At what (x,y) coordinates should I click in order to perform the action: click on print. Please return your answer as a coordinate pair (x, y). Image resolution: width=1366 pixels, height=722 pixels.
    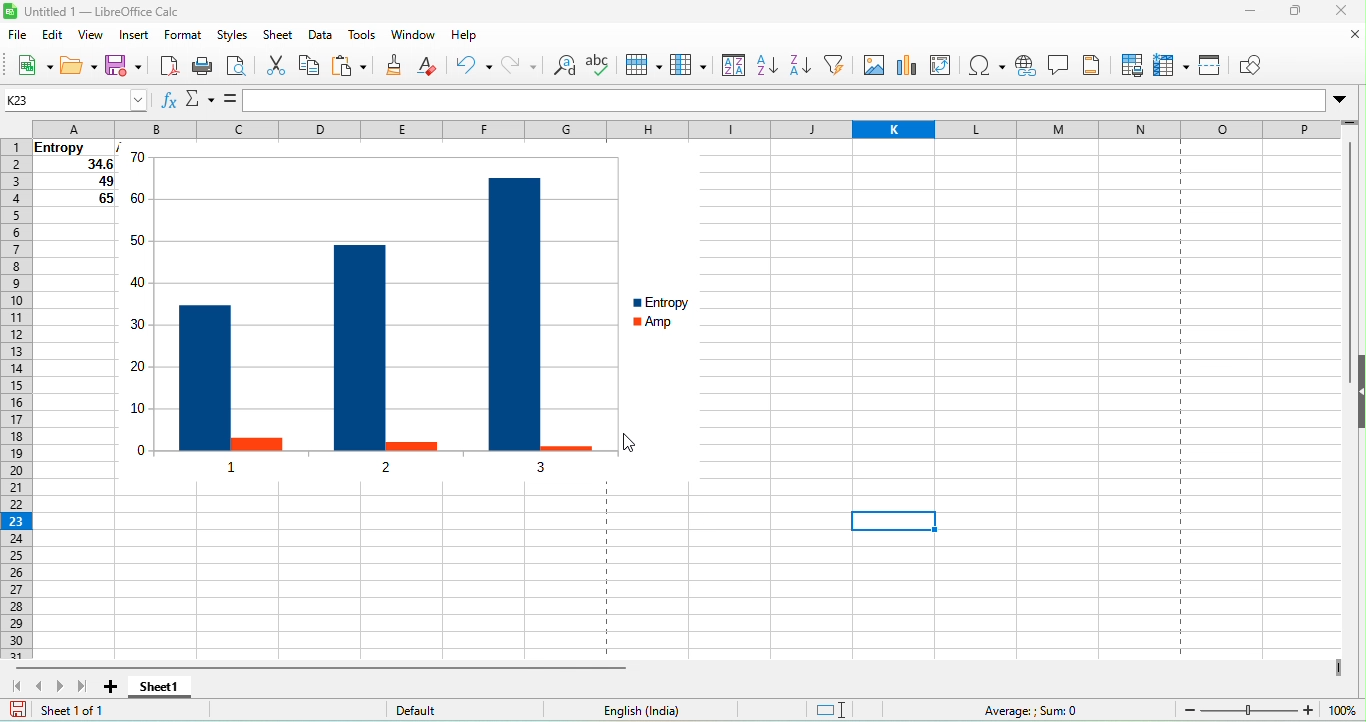
    Looking at the image, I should click on (202, 69).